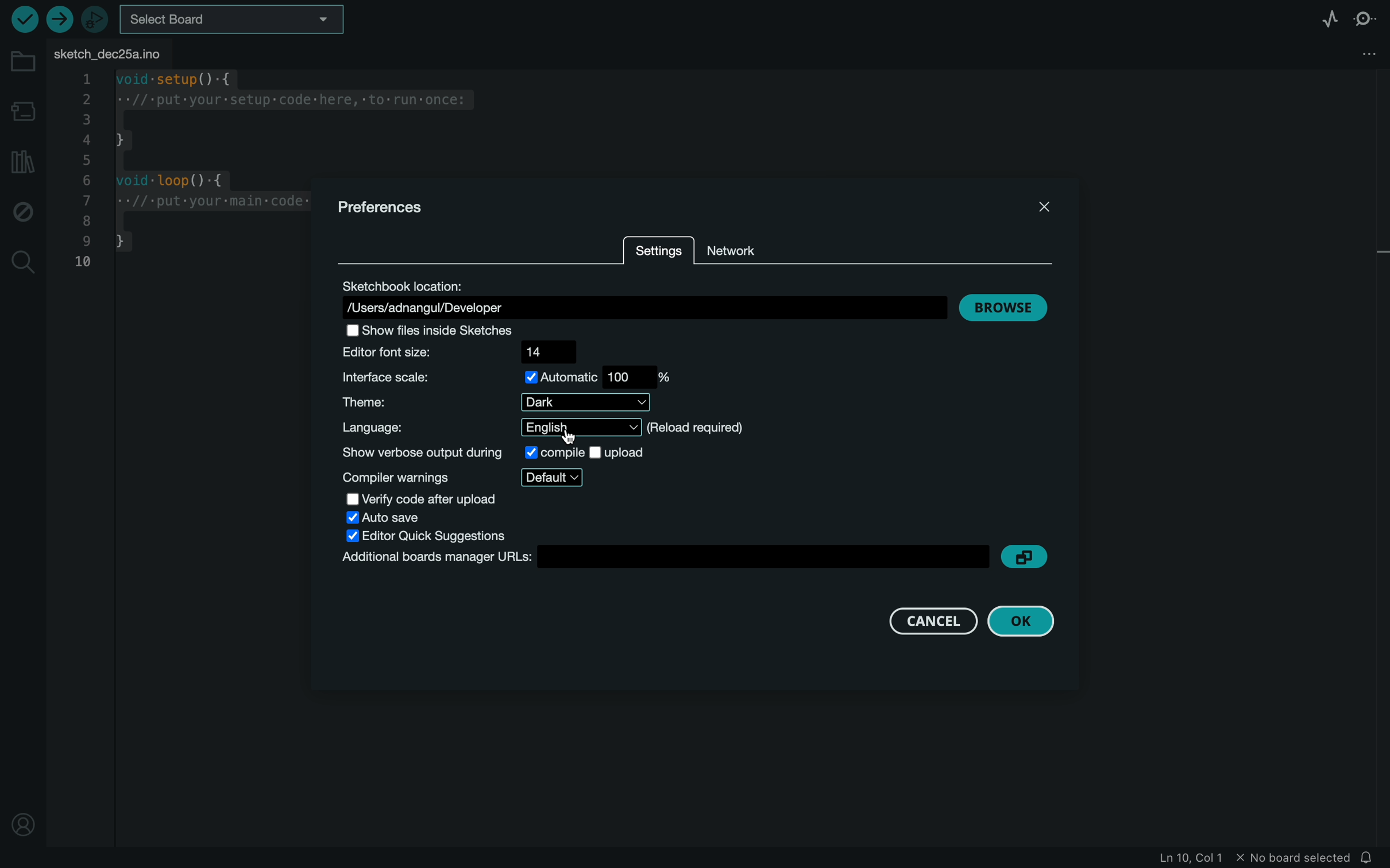  Describe the element at coordinates (21, 161) in the screenshot. I see `library  manager` at that location.